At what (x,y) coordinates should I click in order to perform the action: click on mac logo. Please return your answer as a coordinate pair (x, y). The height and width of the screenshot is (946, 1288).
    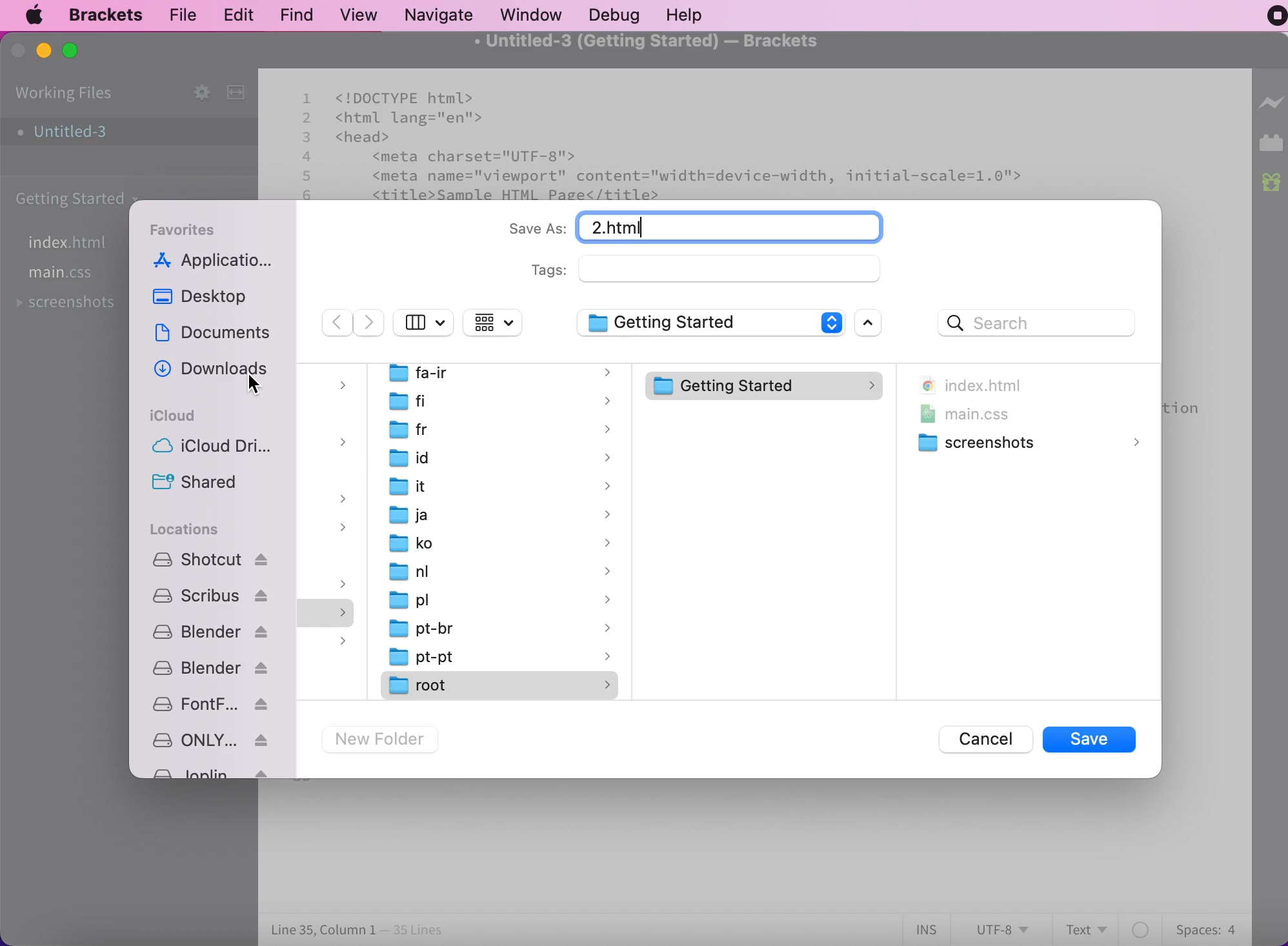
    Looking at the image, I should click on (37, 16).